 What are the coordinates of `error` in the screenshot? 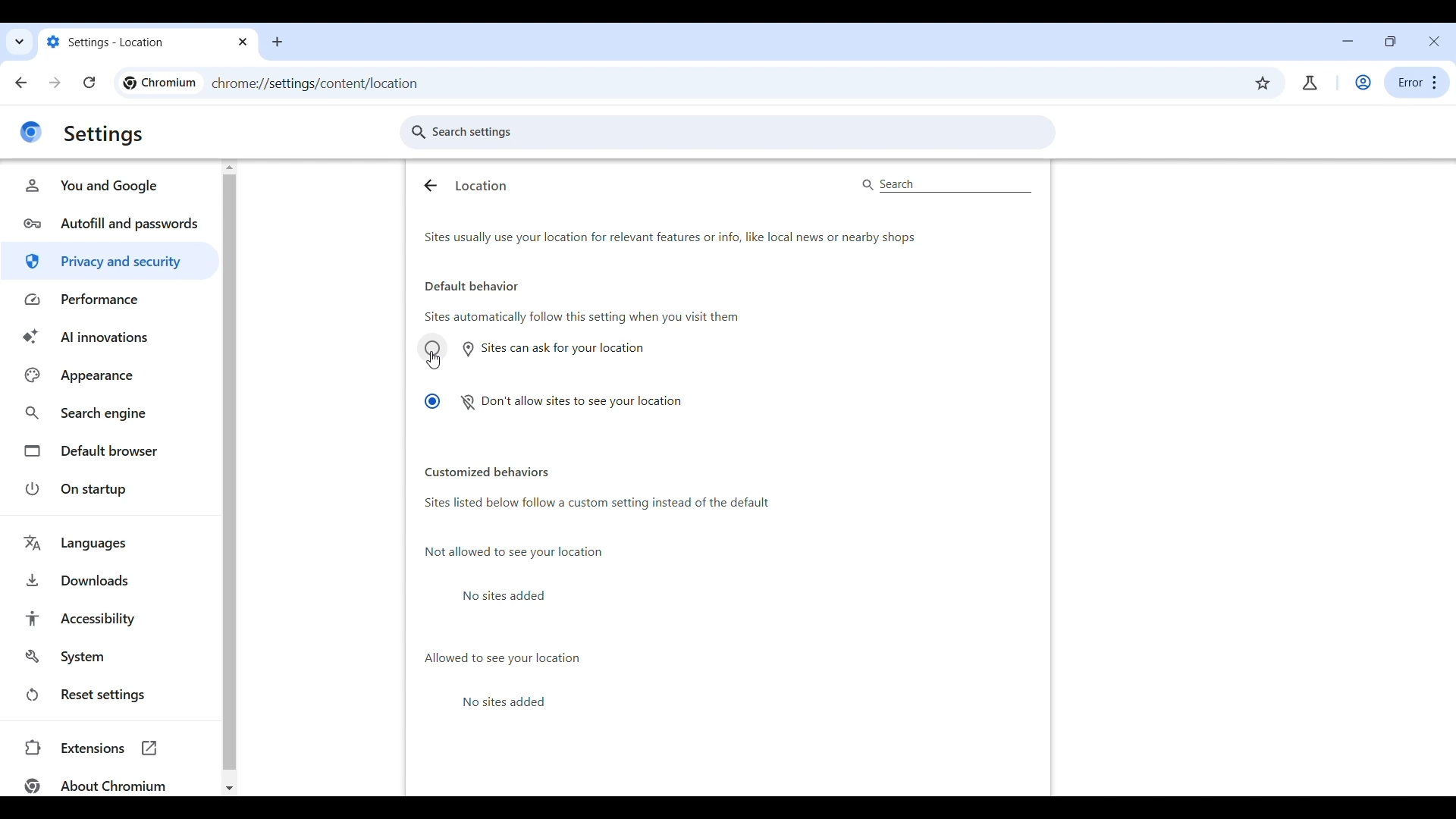 It's located at (1417, 83).